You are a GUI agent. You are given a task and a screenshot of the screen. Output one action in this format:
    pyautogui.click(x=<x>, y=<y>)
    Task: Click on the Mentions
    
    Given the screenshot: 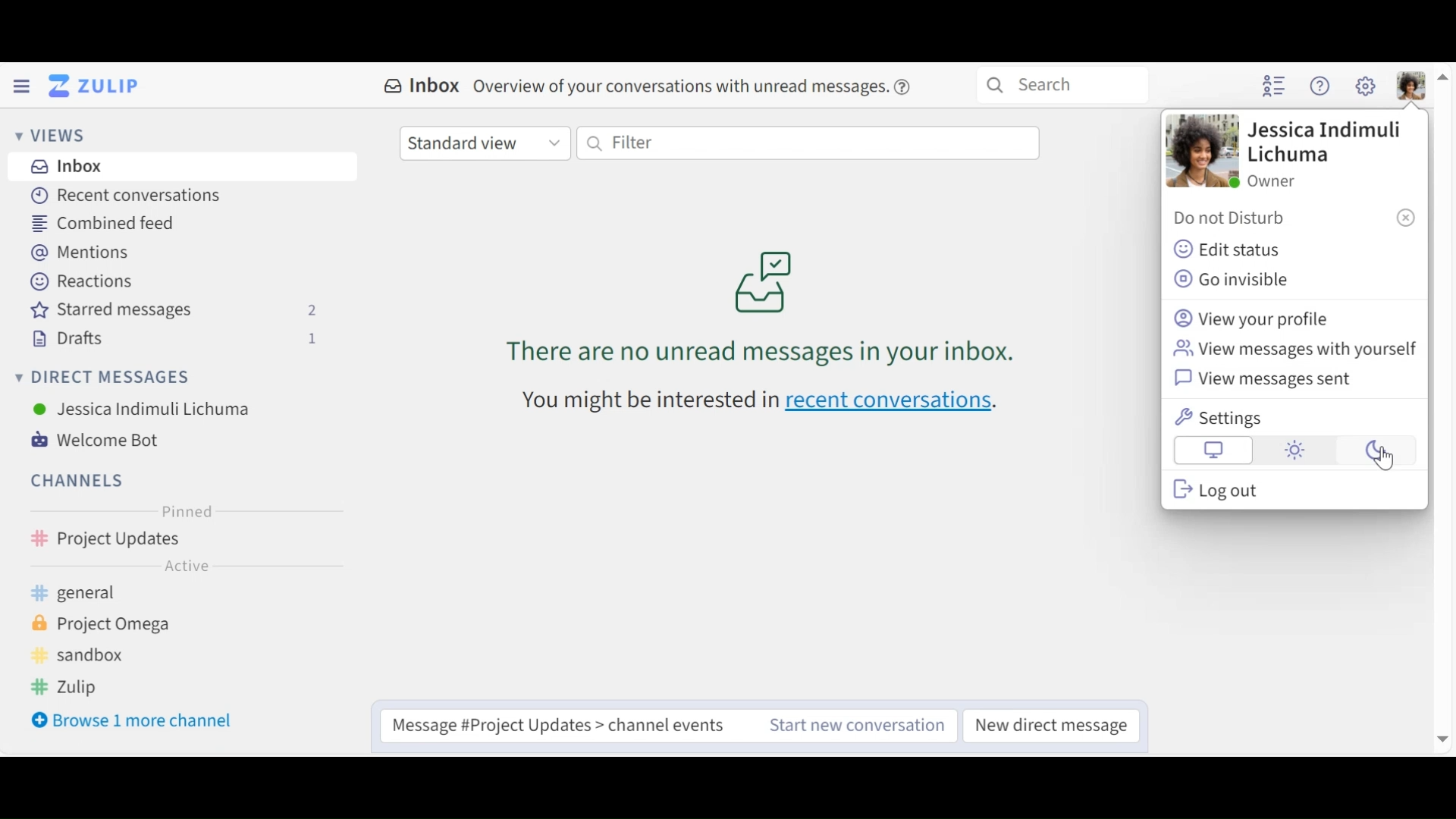 What is the action you would take?
    pyautogui.click(x=83, y=253)
    